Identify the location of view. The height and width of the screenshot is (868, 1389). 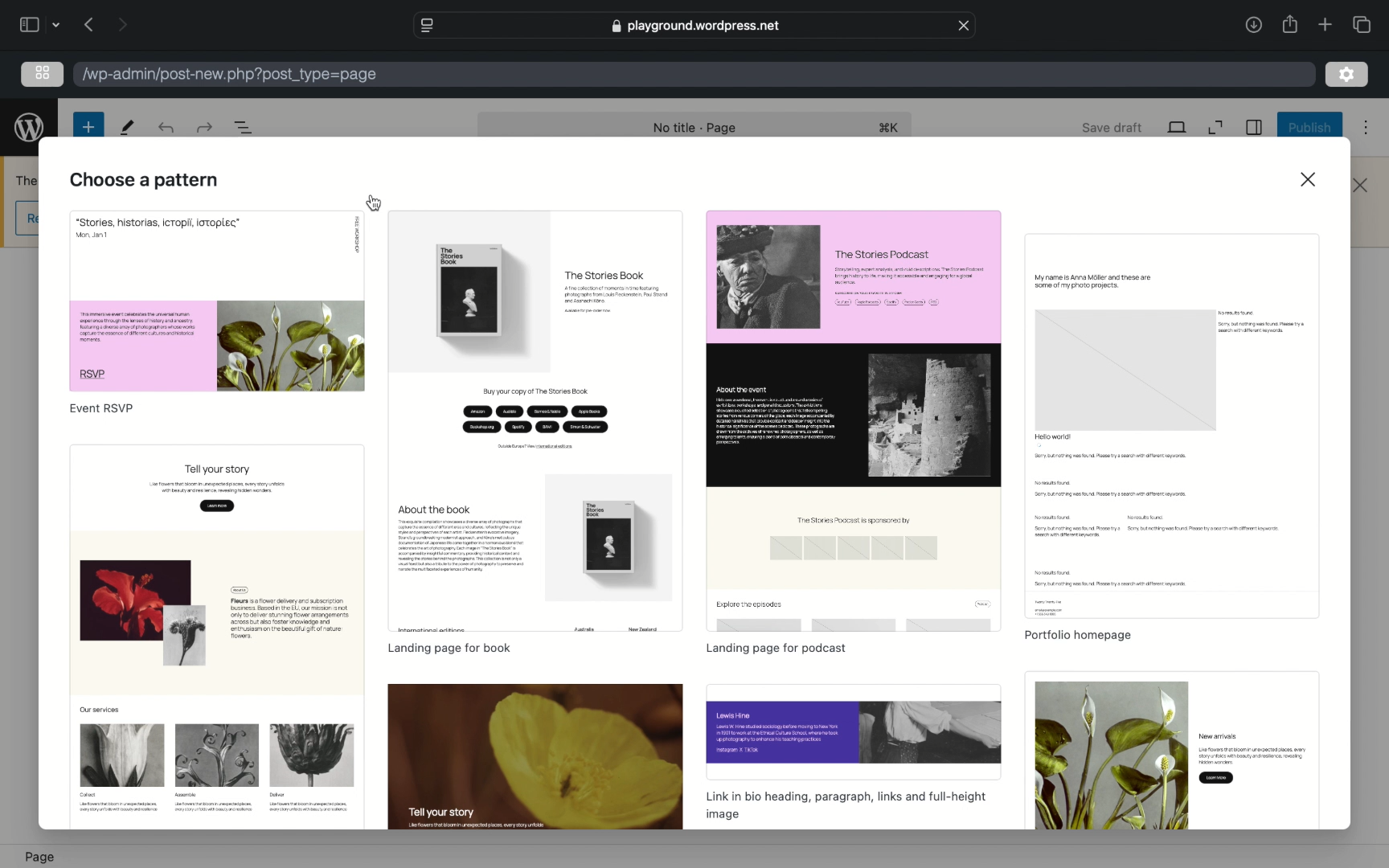
(1176, 126).